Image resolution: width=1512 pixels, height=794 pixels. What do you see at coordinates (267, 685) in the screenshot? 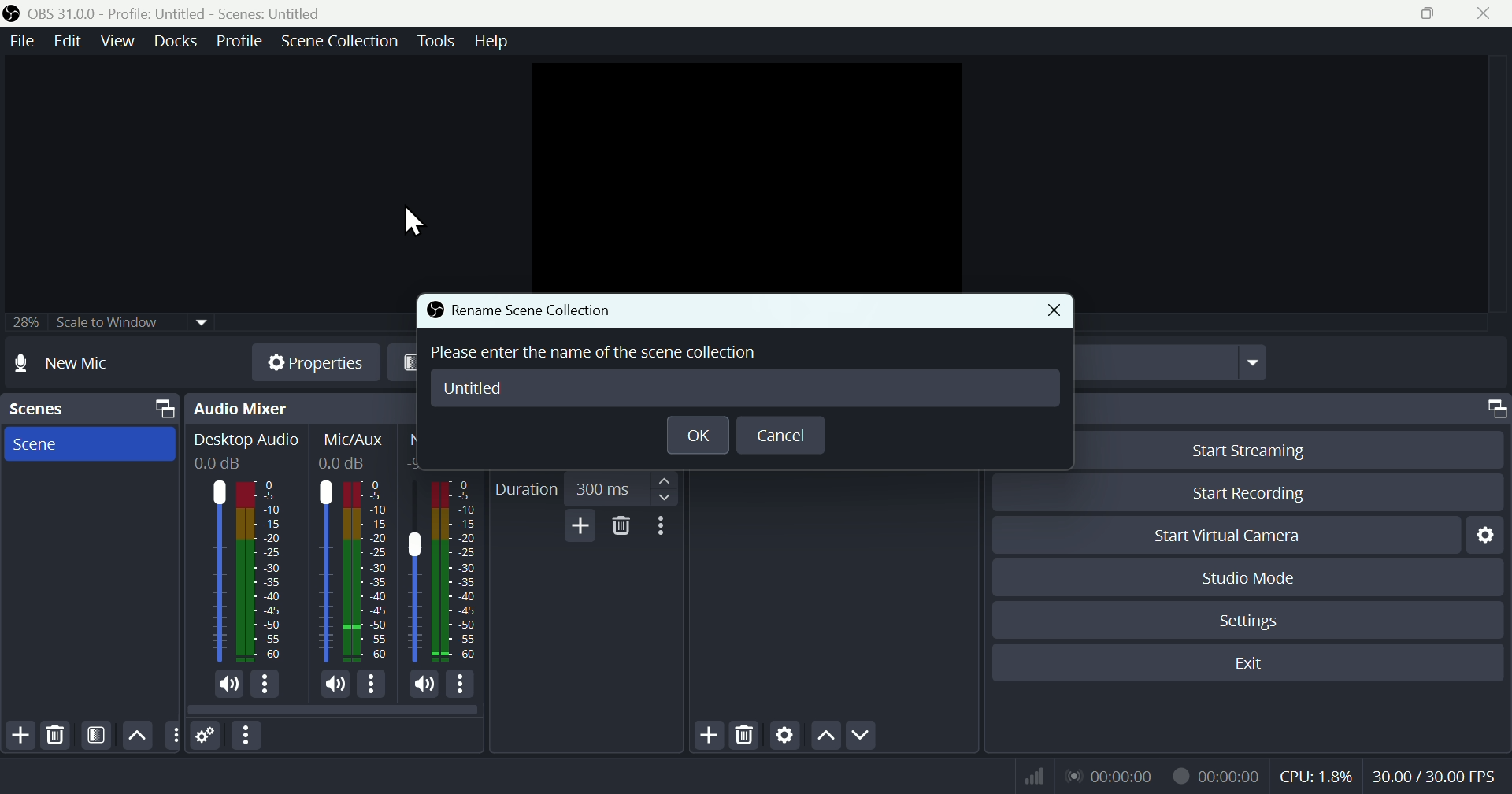
I see `More Options` at bounding box center [267, 685].